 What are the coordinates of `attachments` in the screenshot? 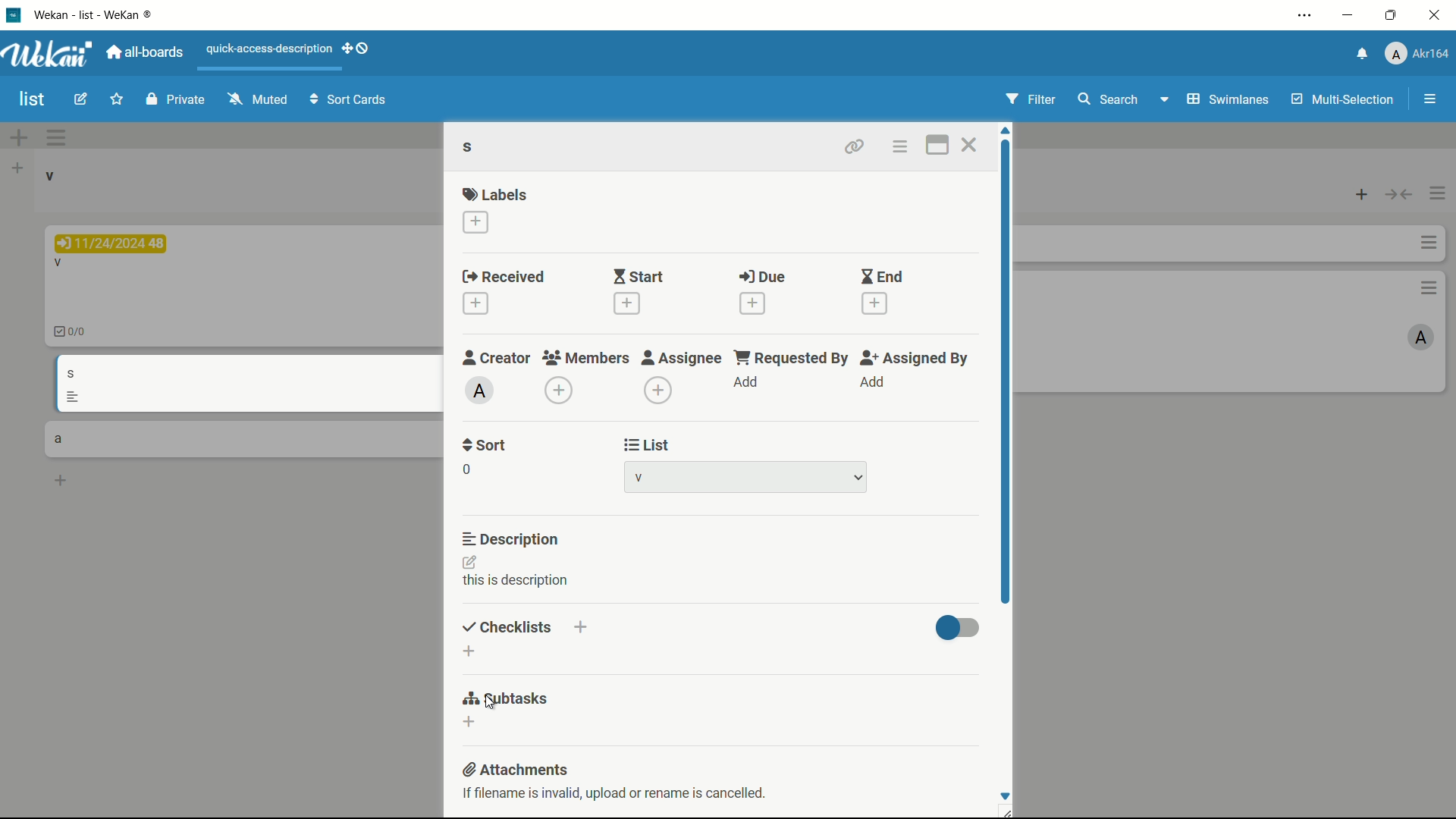 It's located at (516, 769).